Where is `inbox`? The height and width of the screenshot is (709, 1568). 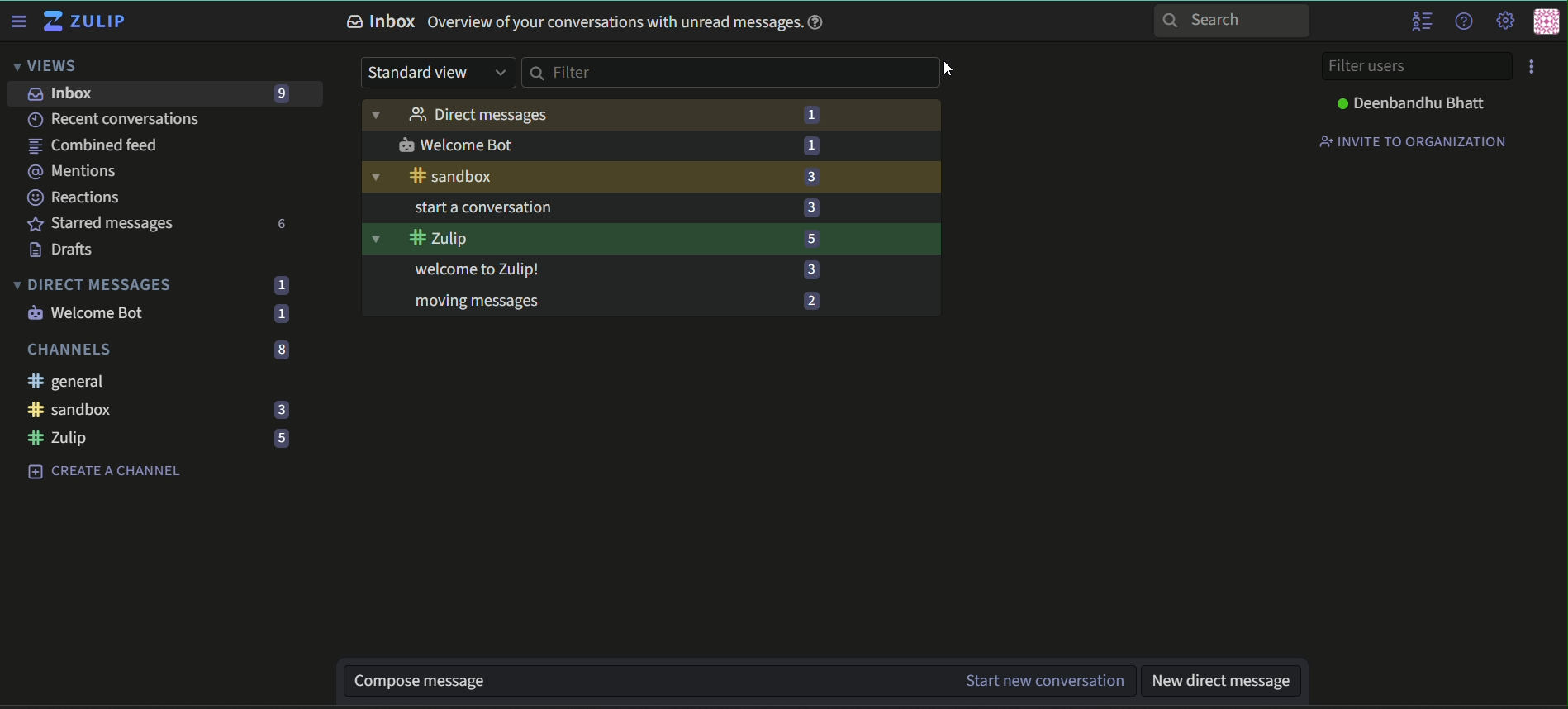 inbox is located at coordinates (64, 95).